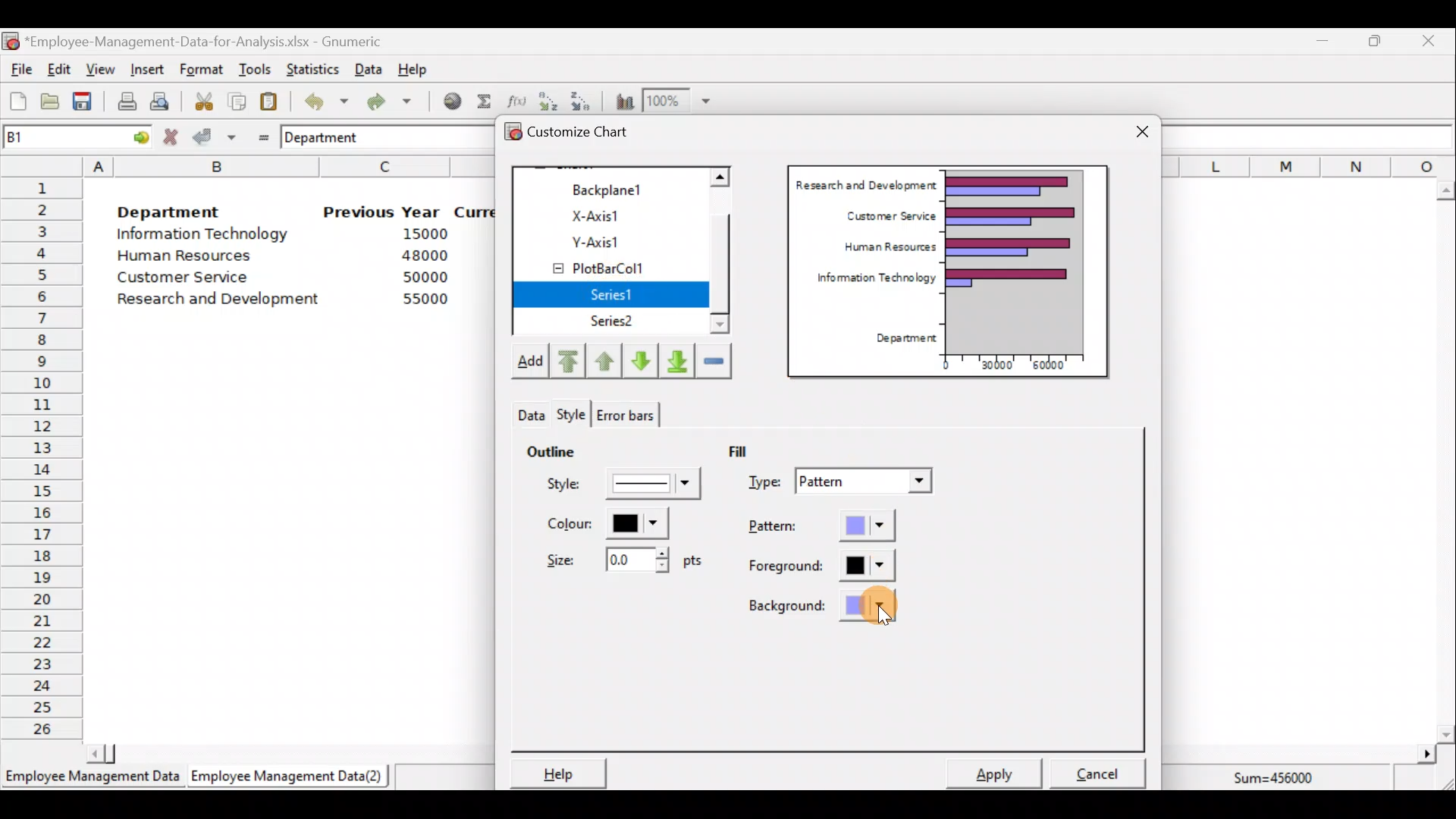 The image size is (1456, 819). Describe the element at coordinates (516, 100) in the screenshot. I see `Edit a function in the current cell` at that location.